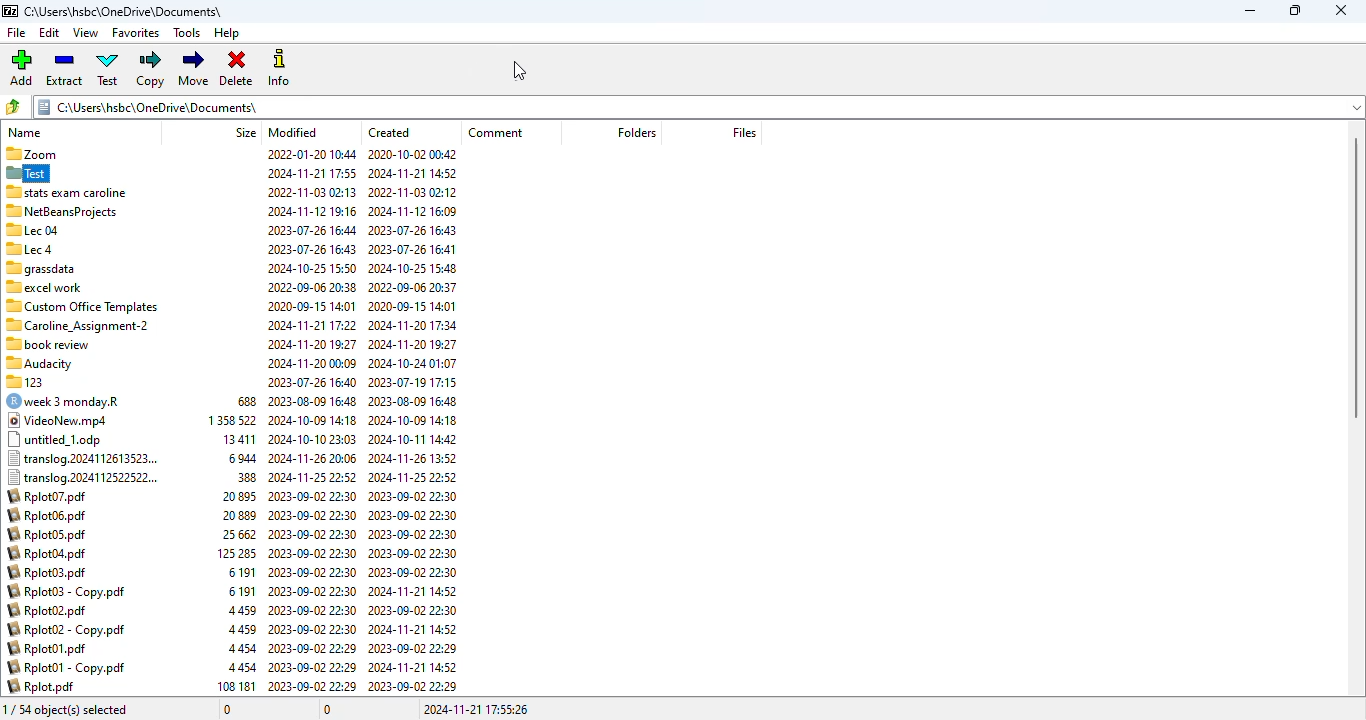 The width and height of the screenshot is (1366, 720). I want to click on Custom Office Templates, so click(83, 306).